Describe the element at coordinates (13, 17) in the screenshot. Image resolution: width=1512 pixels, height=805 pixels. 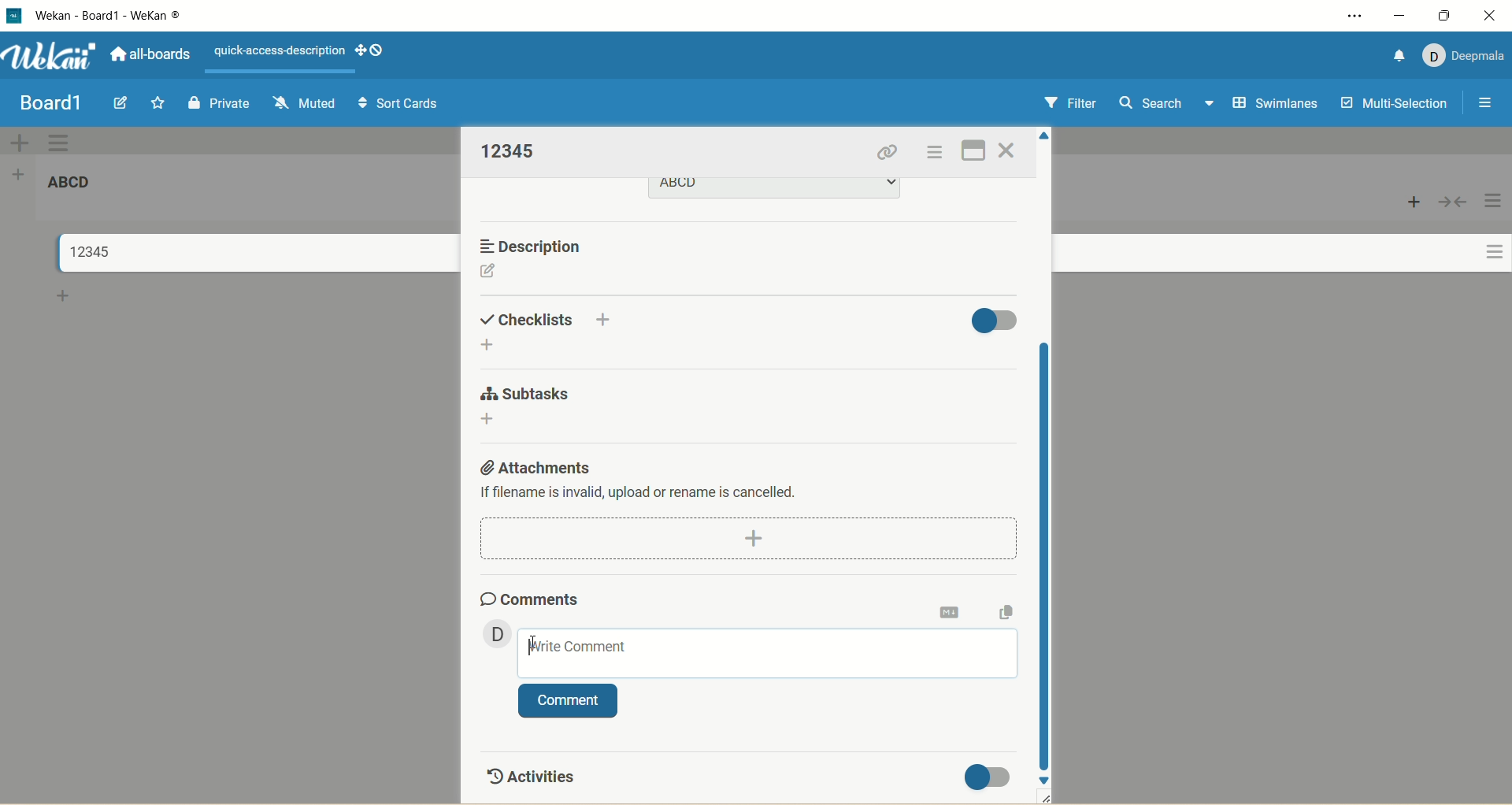
I see `logo` at that location.